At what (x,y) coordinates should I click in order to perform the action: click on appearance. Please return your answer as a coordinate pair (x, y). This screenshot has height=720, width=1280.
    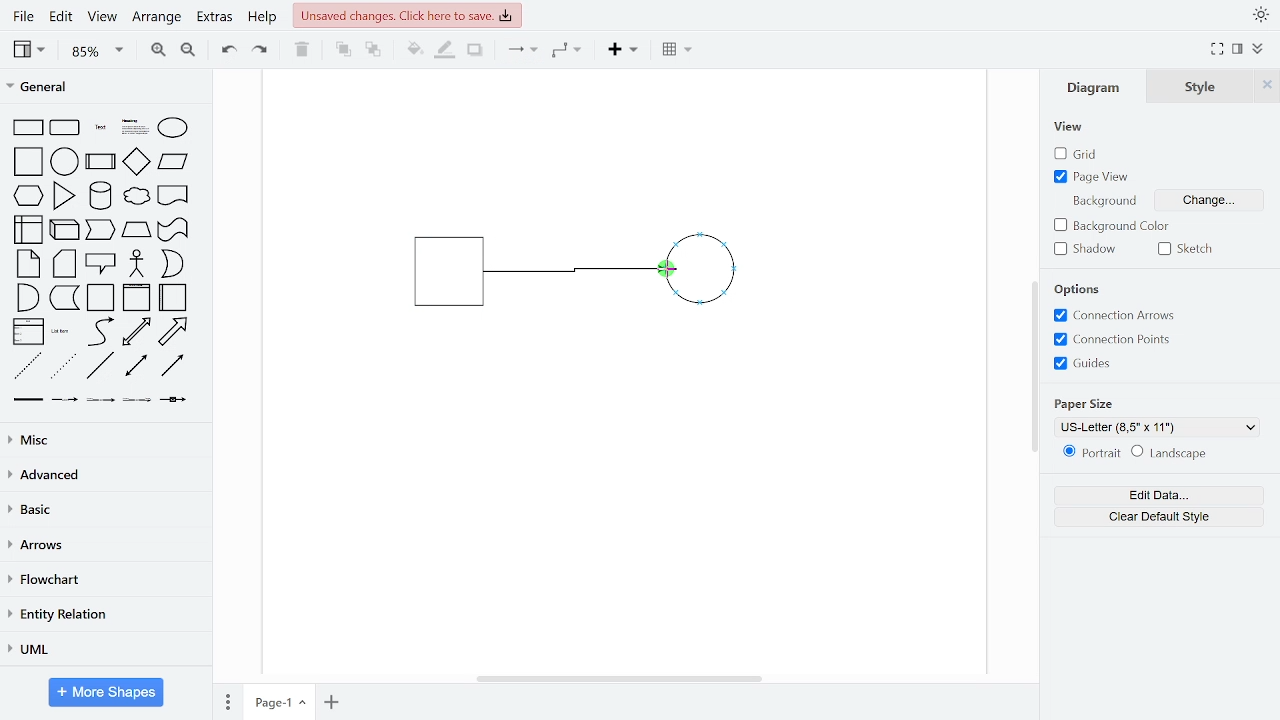
    Looking at the image, I should click on (1260, 15).